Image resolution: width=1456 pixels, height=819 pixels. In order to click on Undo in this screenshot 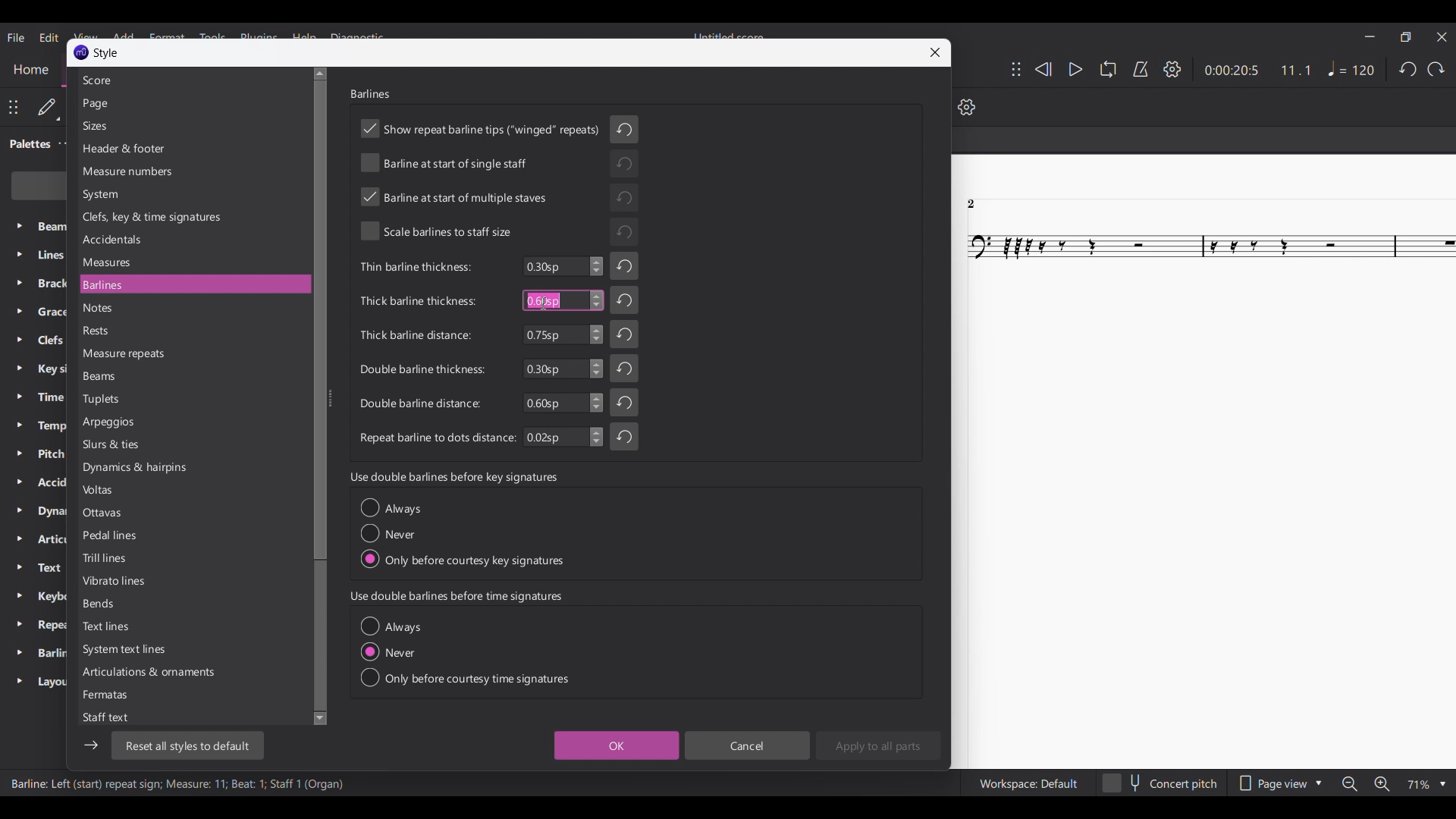, I will do `click(1407, 69)`.